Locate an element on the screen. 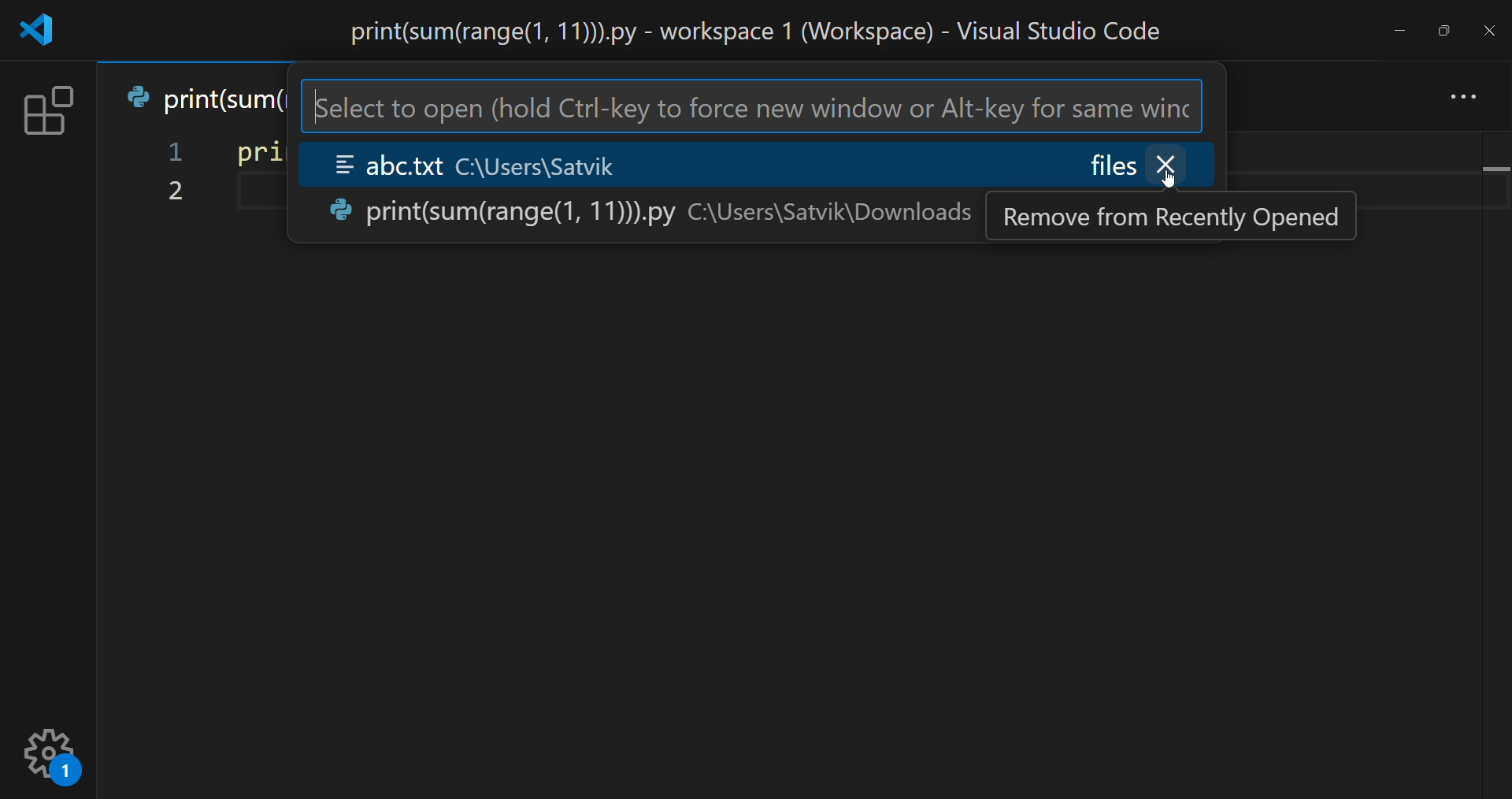  remove from recently opened is located at coordinates (1173, 217).